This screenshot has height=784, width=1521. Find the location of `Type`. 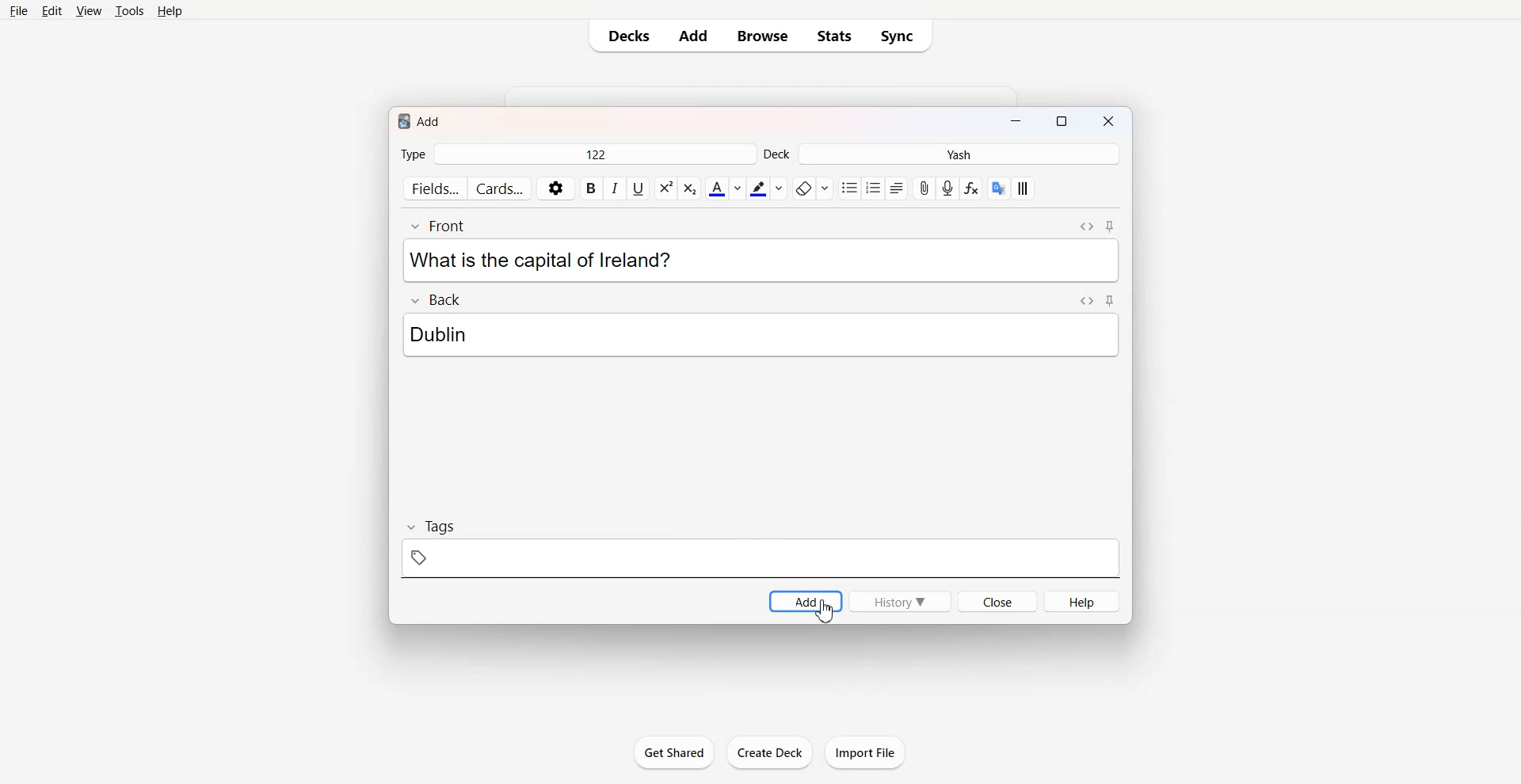

Type is located at coordinates (577, 155).